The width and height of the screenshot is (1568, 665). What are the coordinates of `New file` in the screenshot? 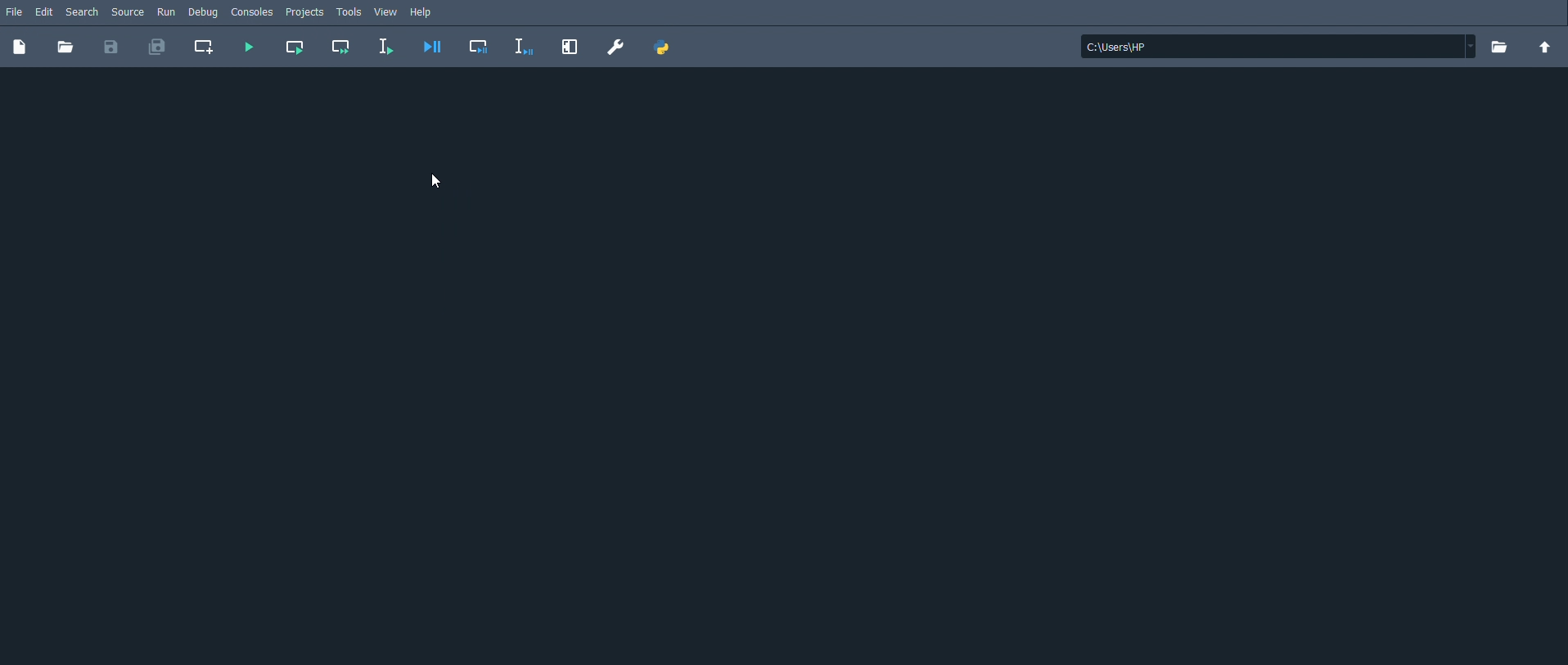 It's located at (19, 47).